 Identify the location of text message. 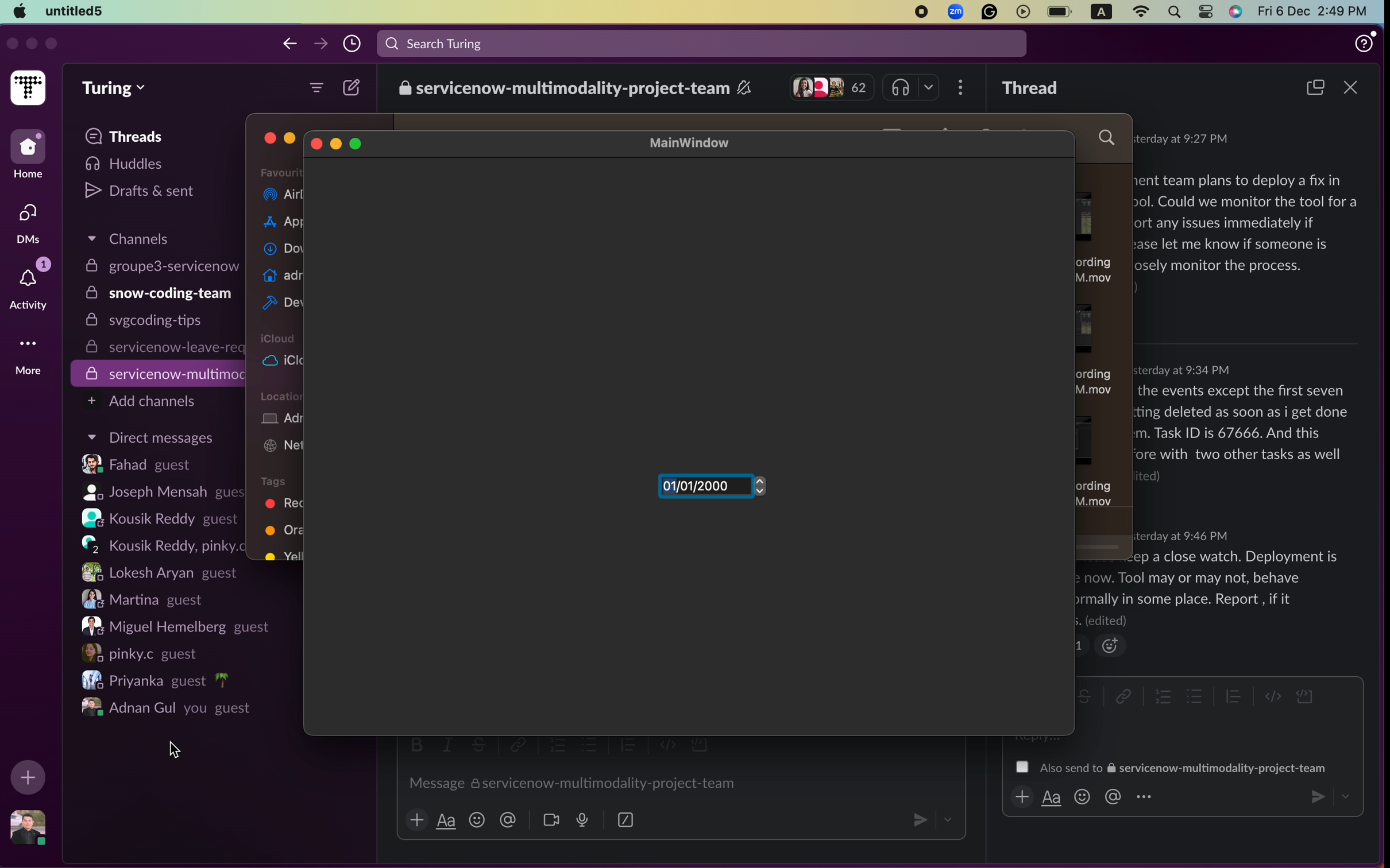
(1244, 435).